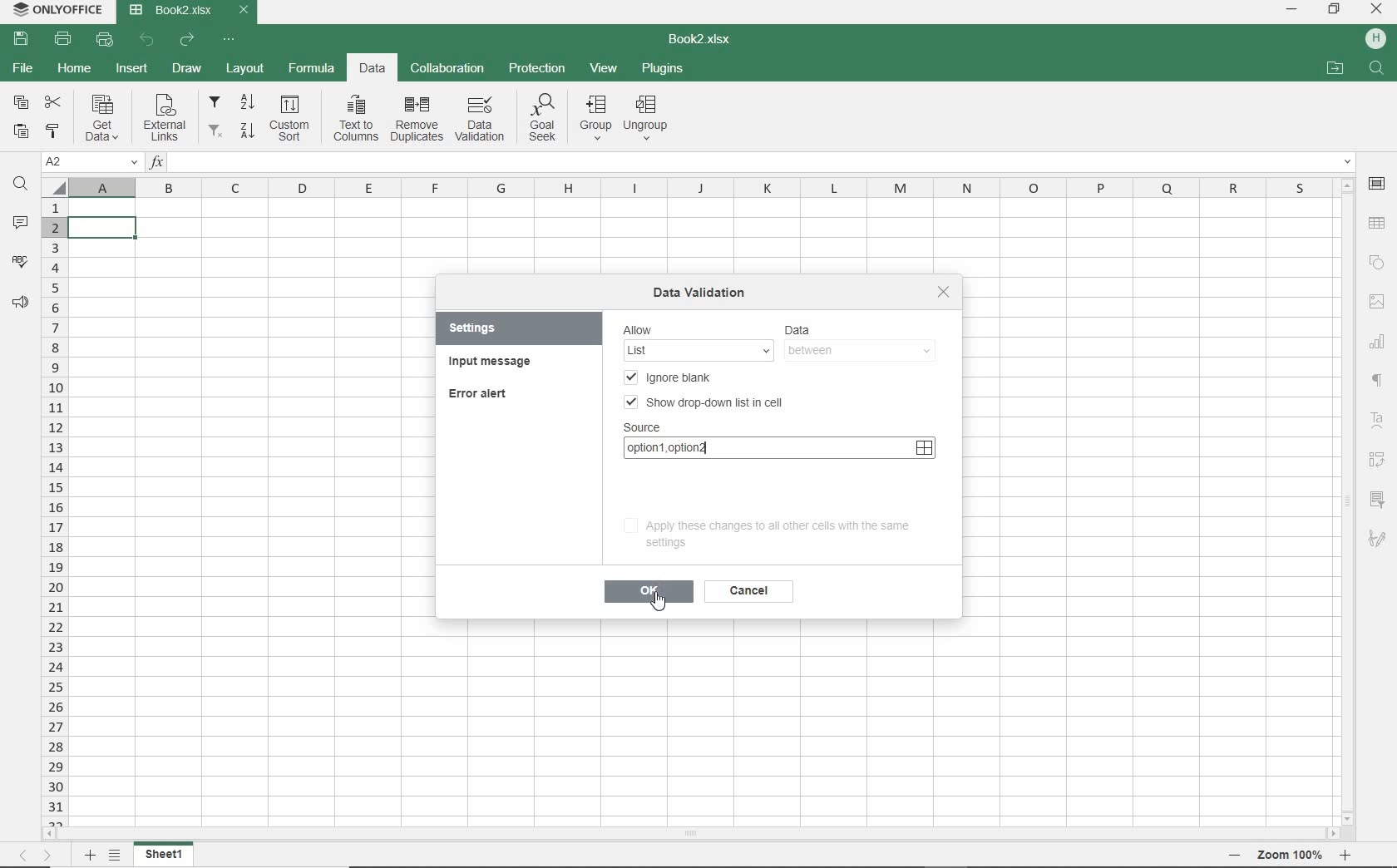 The height and width of the screenshot is (868, 1397). Describe the element at coordinates (244, 10) in the screenshot. I see `CLOSE TAB` at that location.